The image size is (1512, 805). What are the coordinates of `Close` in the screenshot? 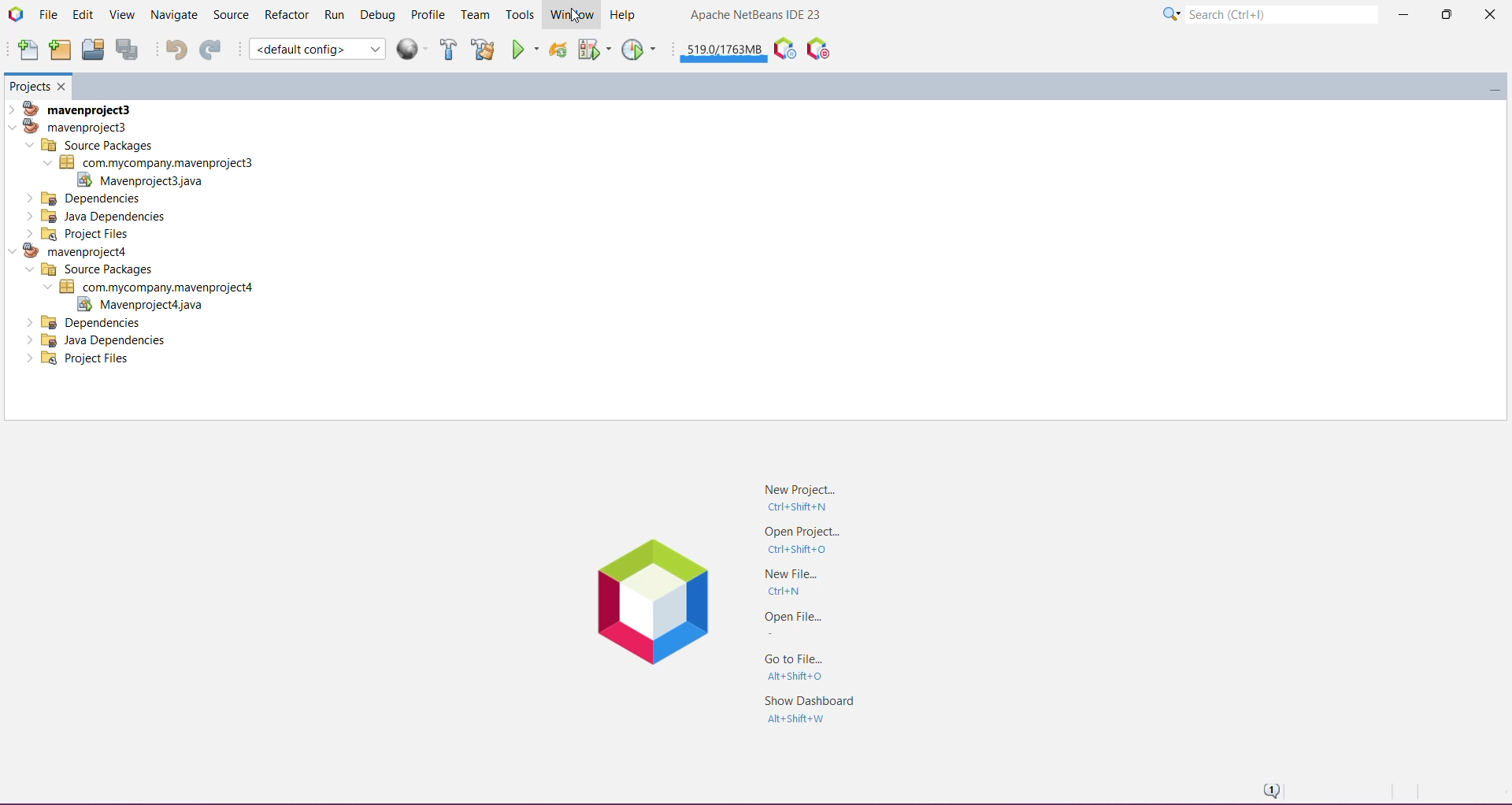 It's located at (1488, 17).